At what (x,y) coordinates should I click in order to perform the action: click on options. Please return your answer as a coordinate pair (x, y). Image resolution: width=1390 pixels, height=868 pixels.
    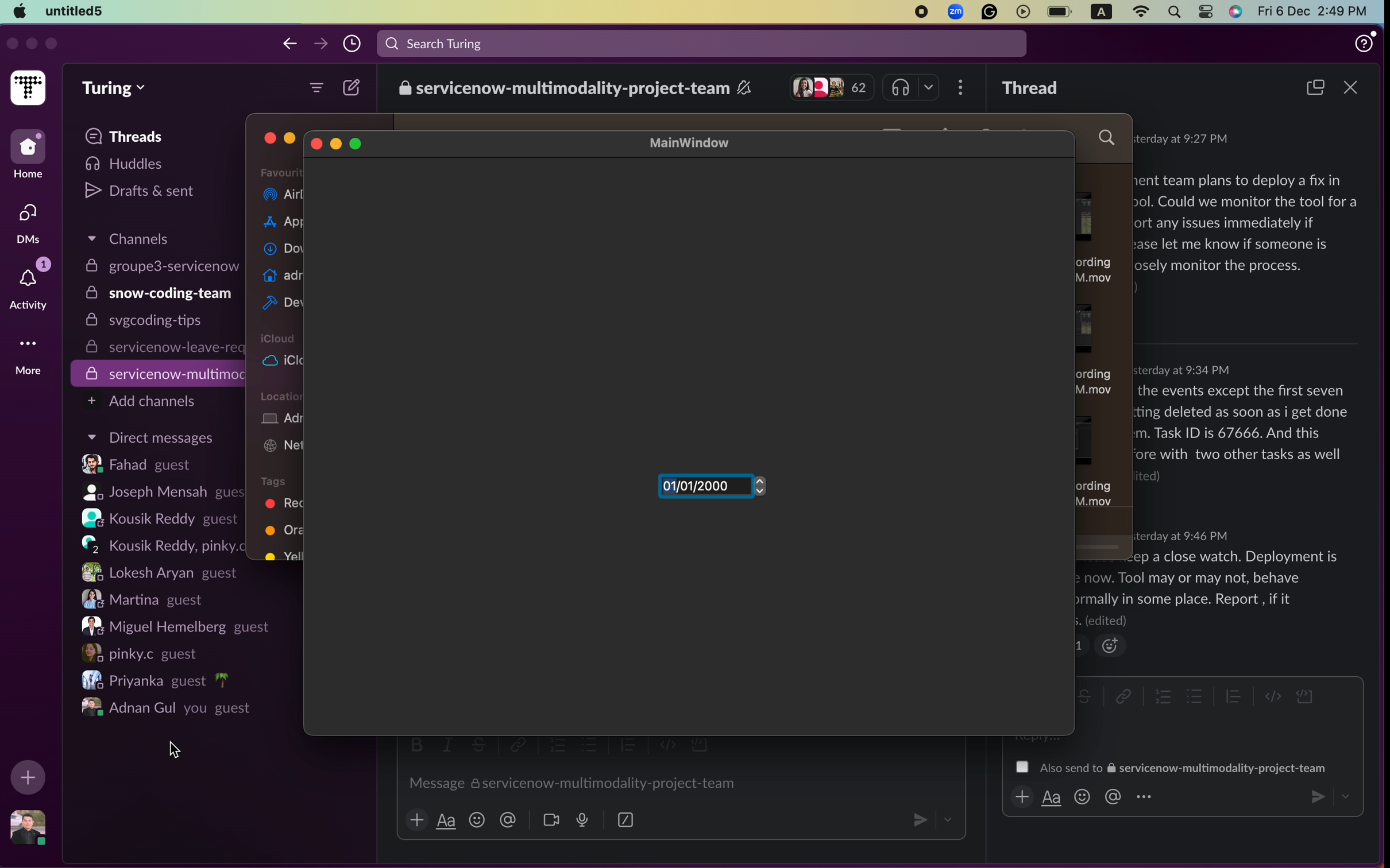
    Looking at the image, I should click on (963, 88).